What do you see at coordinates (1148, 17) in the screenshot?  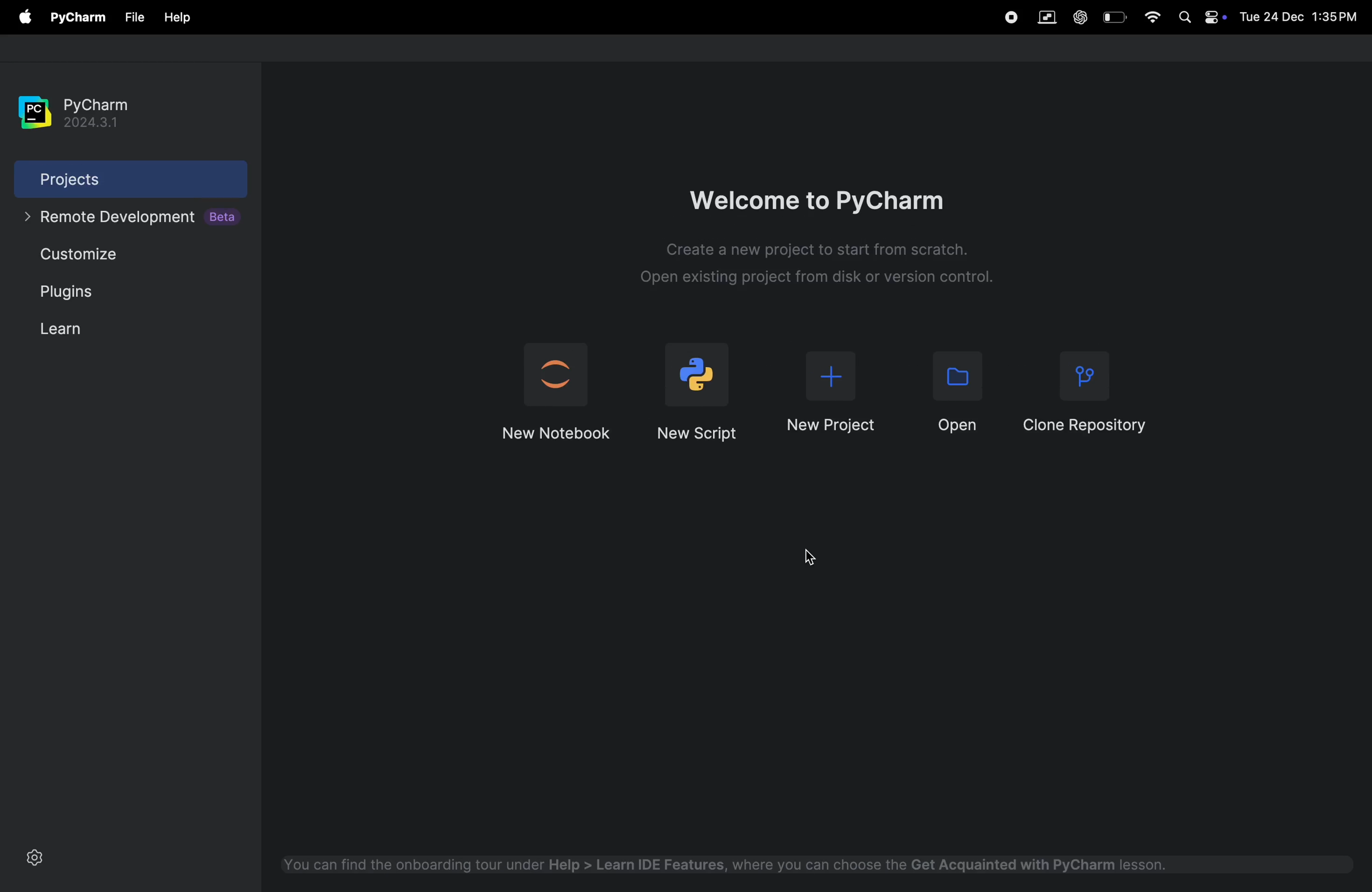 I see `wifi` at bounding box center [1148, 17].